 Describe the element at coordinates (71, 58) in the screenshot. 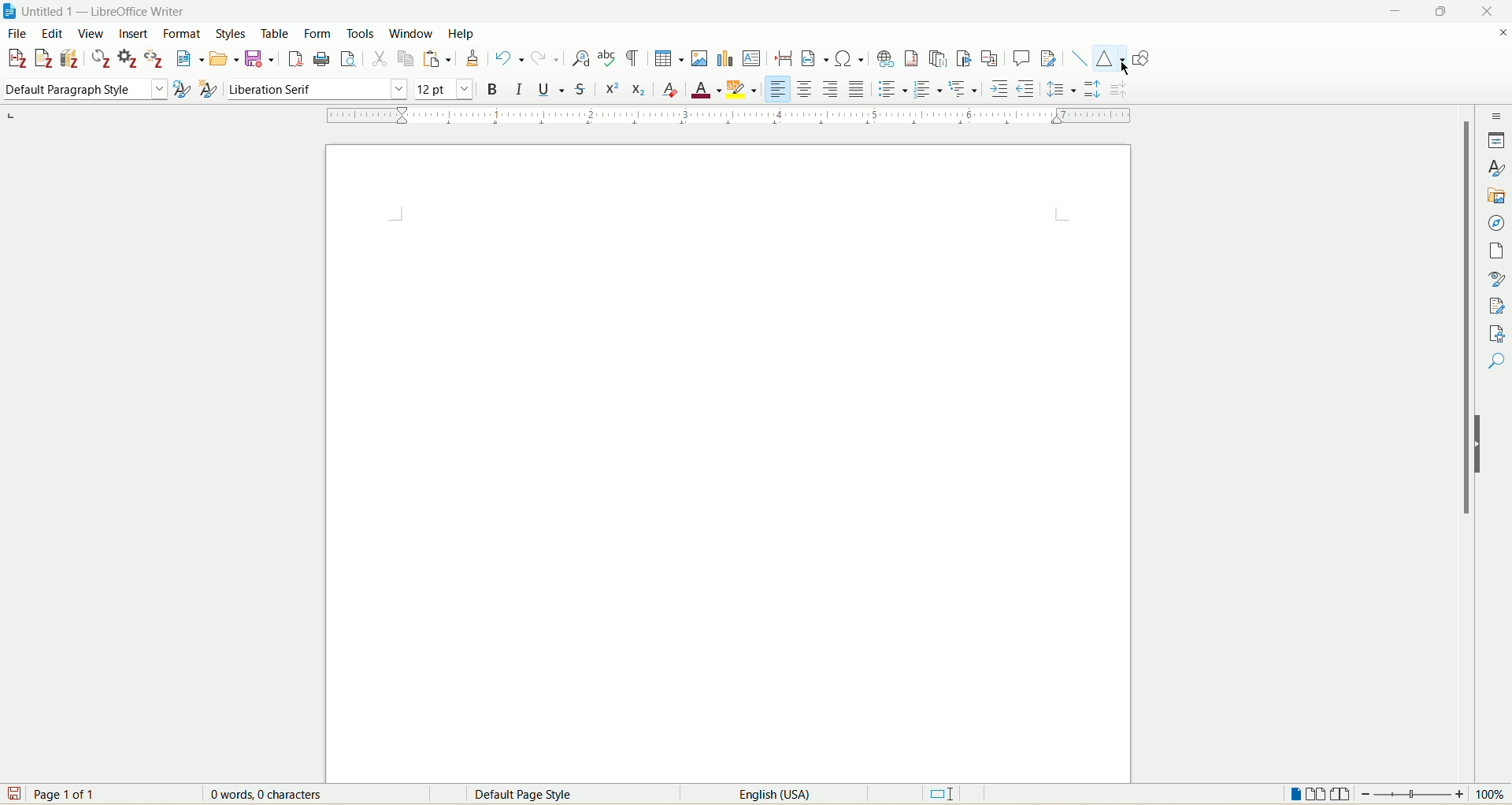

I see `add bibliography` at that location.